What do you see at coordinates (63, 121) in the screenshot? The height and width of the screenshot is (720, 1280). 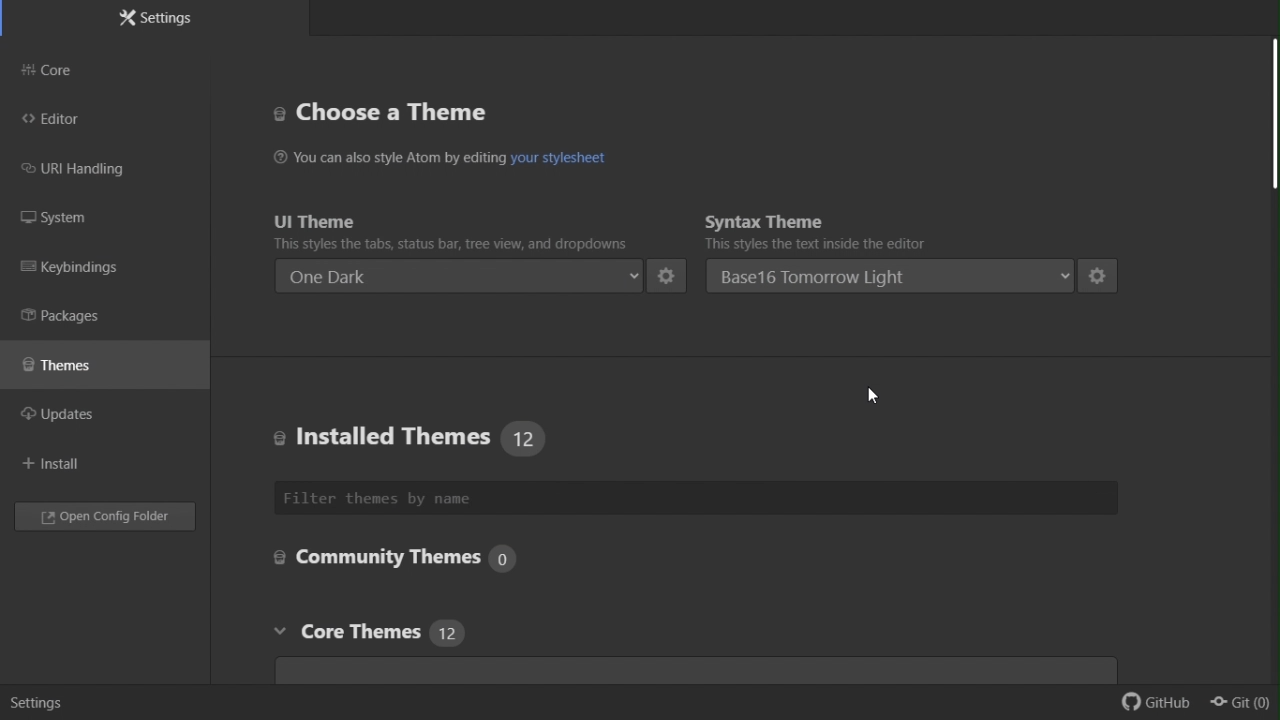 I see `Editor` at bounding box center [63, 121].